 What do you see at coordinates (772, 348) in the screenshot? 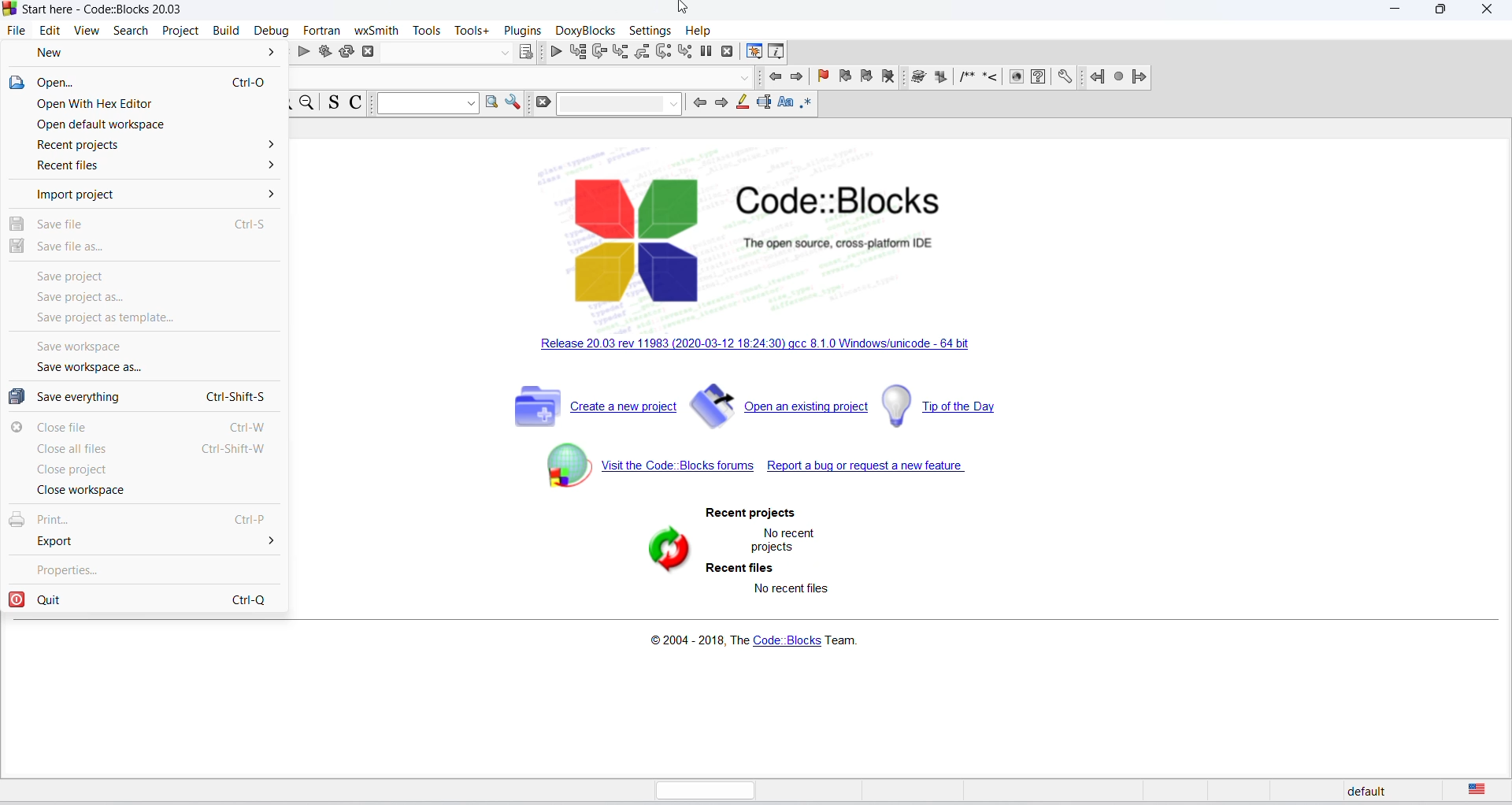
I see `new release` at bounding box center [772, 348].